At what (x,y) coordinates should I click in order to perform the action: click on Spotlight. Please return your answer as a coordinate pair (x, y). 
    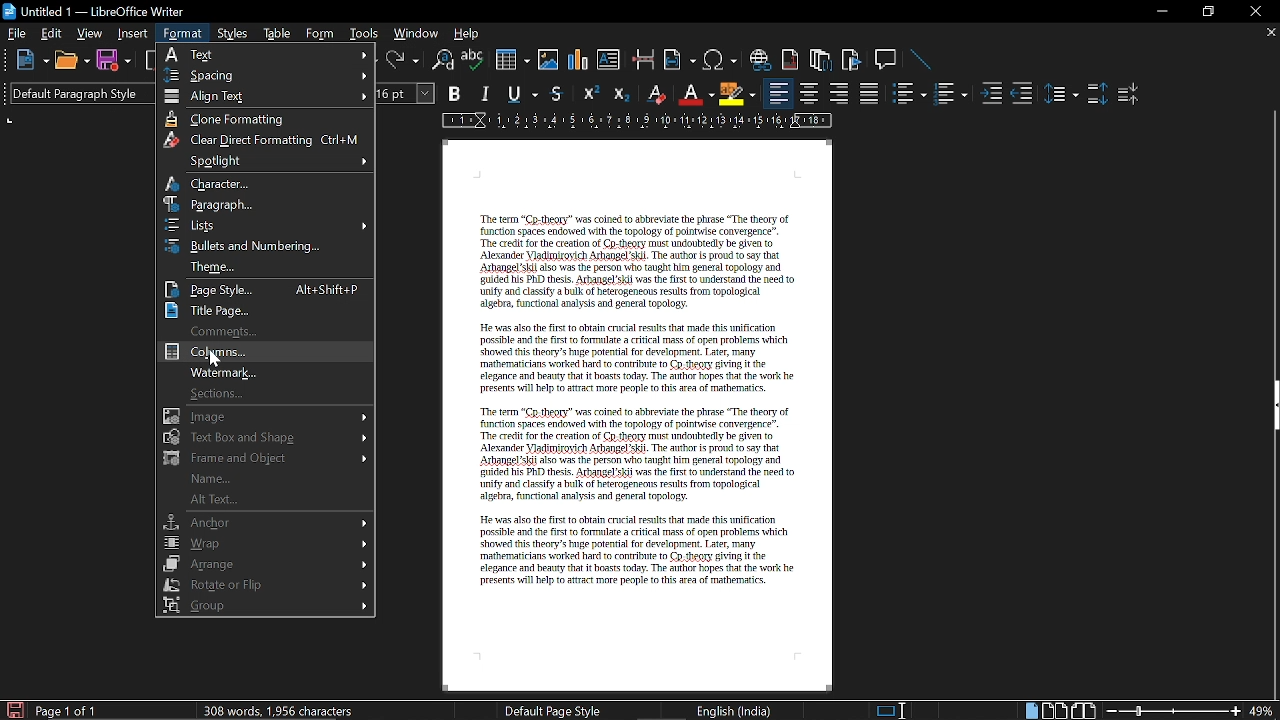
    Looking at the image, I should click on (264, 163).